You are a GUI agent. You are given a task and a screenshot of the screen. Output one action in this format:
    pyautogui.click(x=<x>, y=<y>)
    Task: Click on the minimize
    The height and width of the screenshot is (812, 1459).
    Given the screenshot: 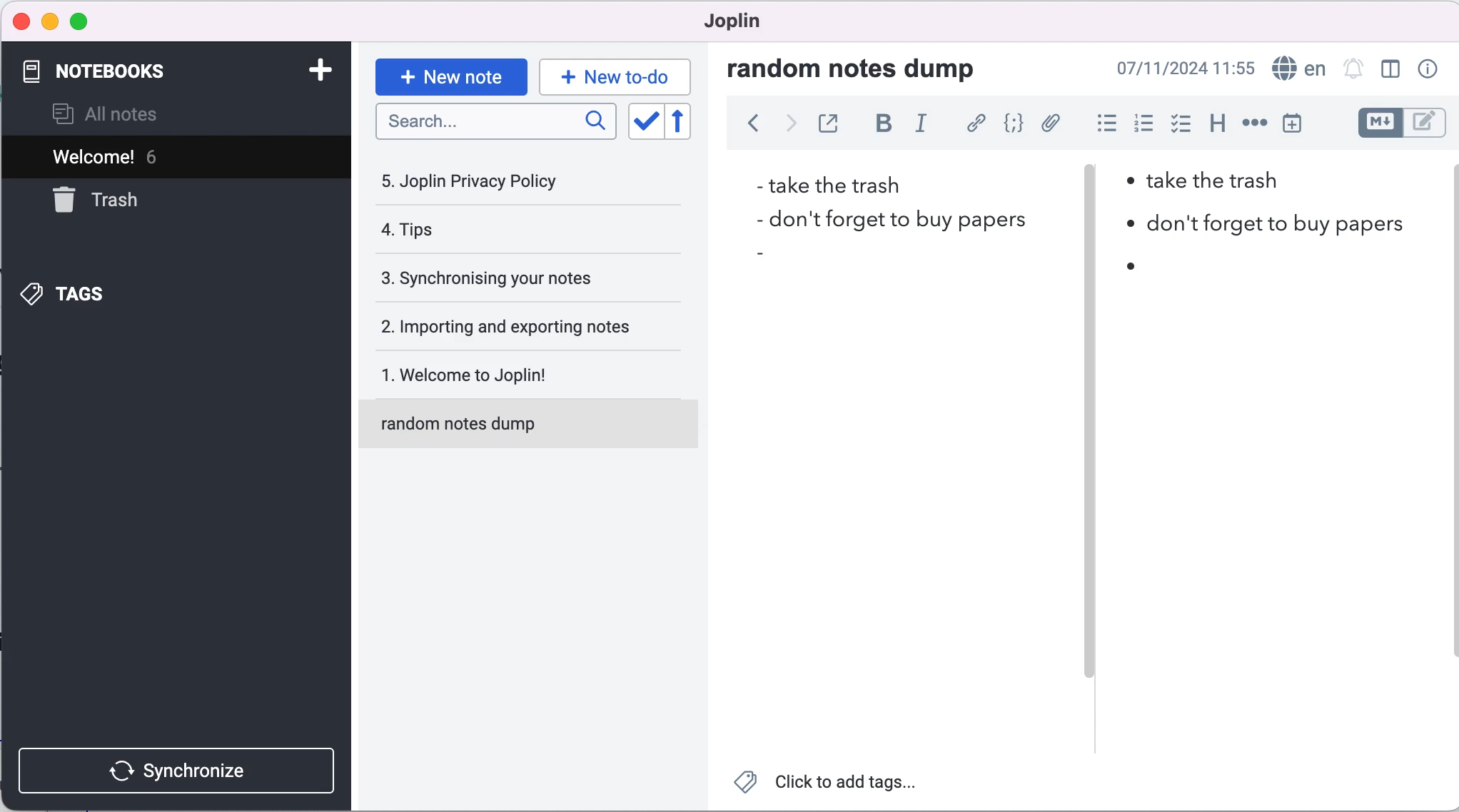 What is the action you would take?
    pyautogui.click(x=49, y=22)
    